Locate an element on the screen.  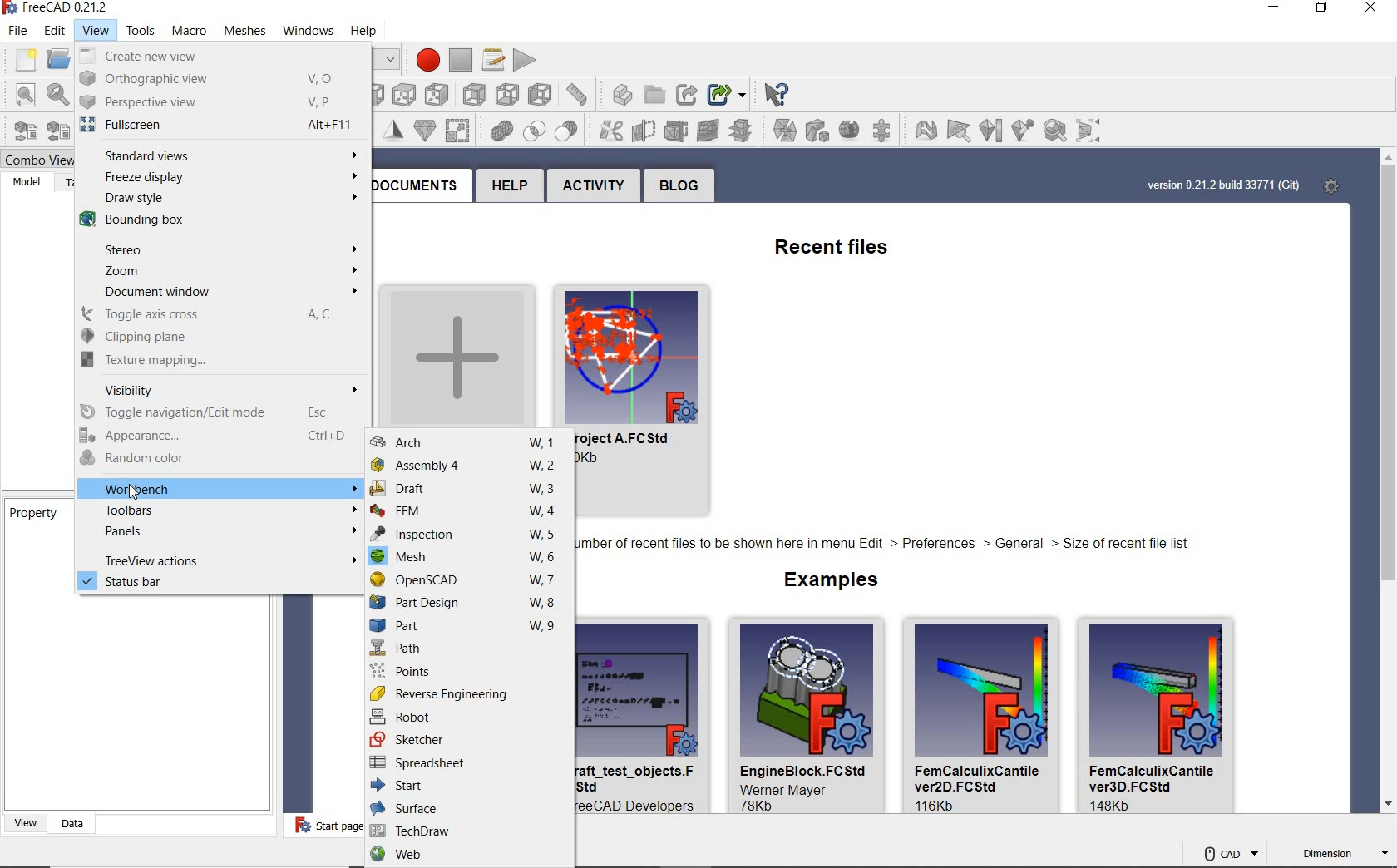
mesh is located at coordinates (468, 560).